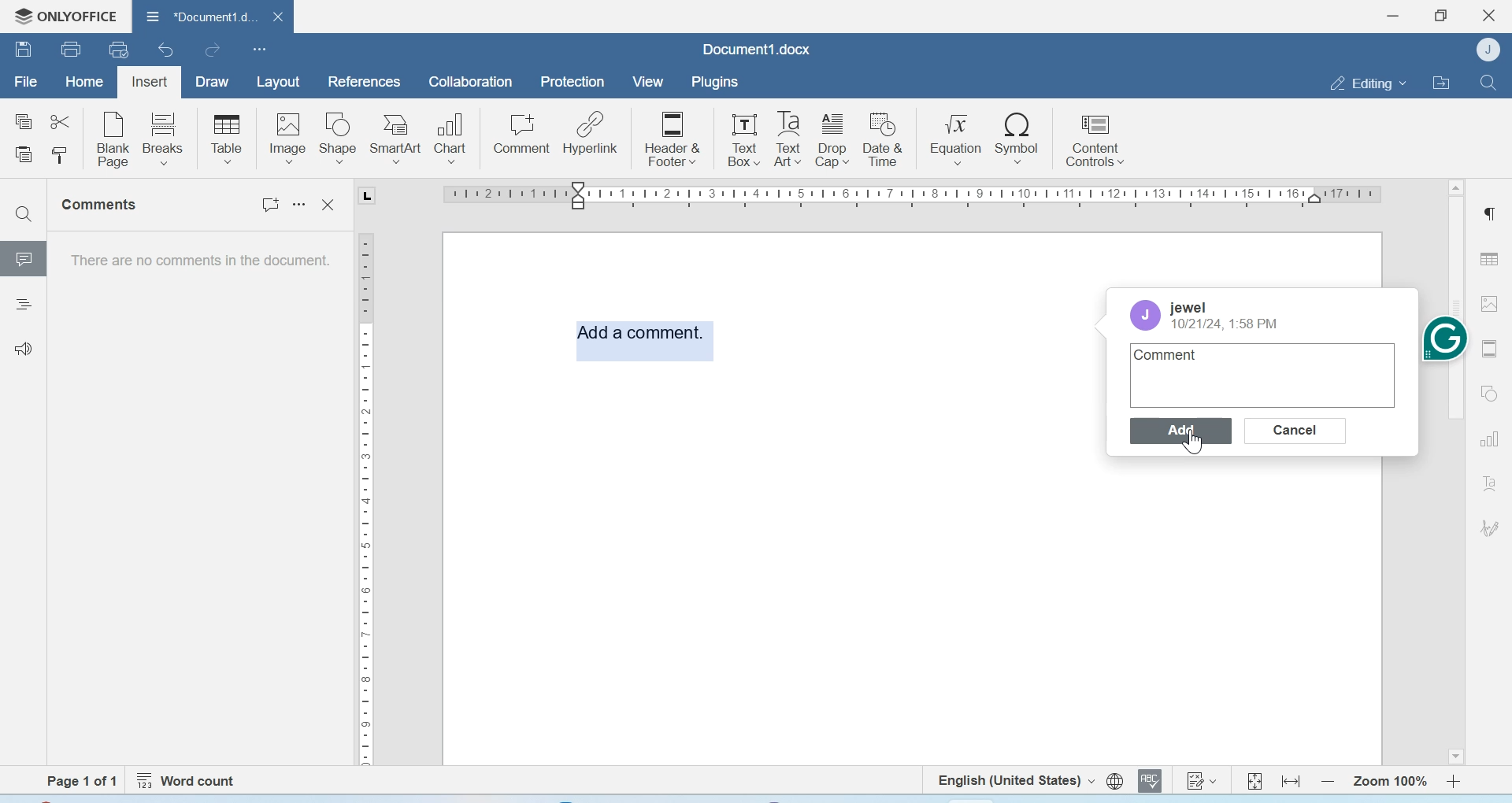 Image resolution: width=1512 pixels, height=803 pixels. I want to click on File, so click(25, 82).